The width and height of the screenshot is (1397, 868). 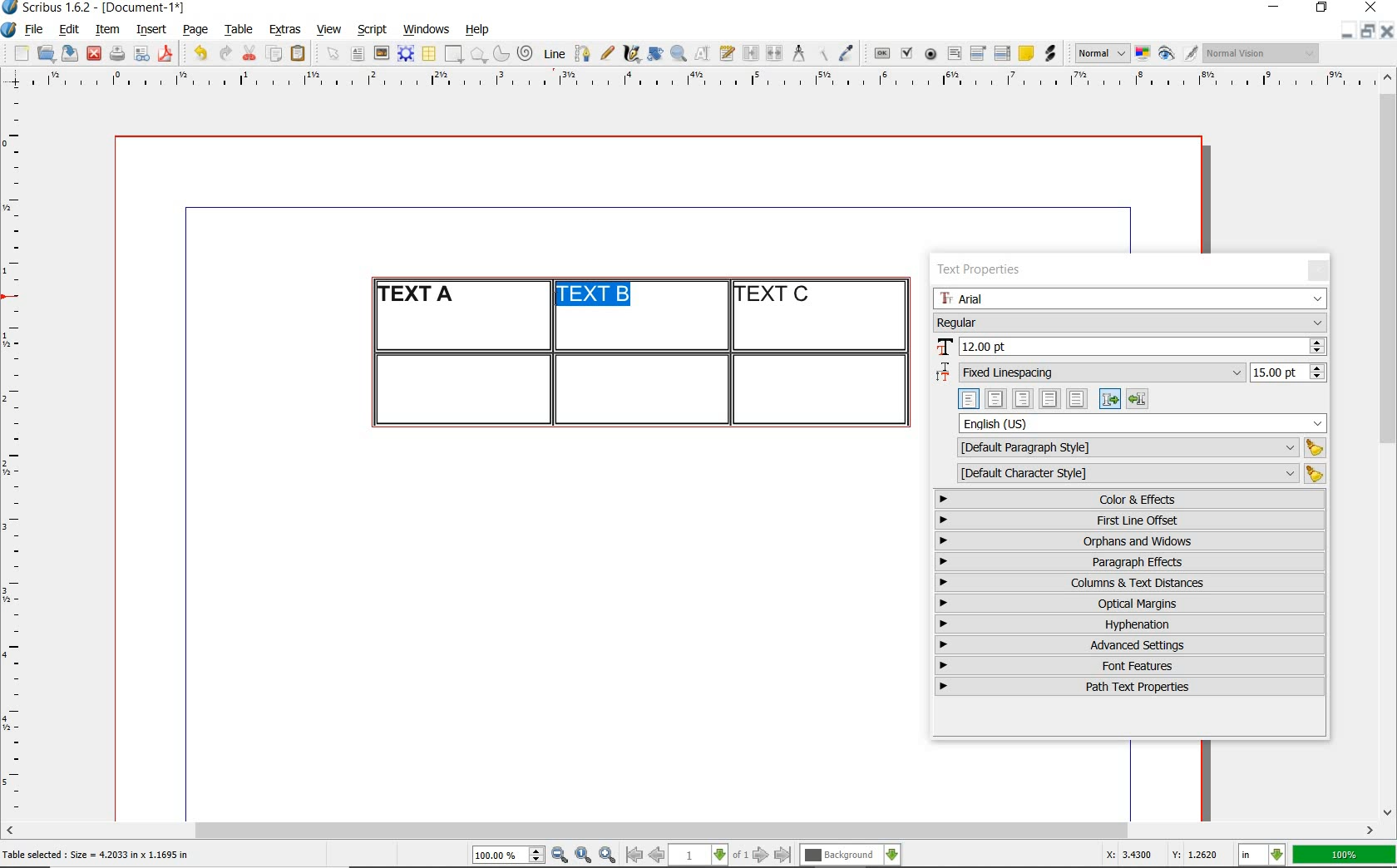 What do you see at coordinates (142, 55) in the screenshot?
I see `preflight verifier` at bounding box center [142, 55].